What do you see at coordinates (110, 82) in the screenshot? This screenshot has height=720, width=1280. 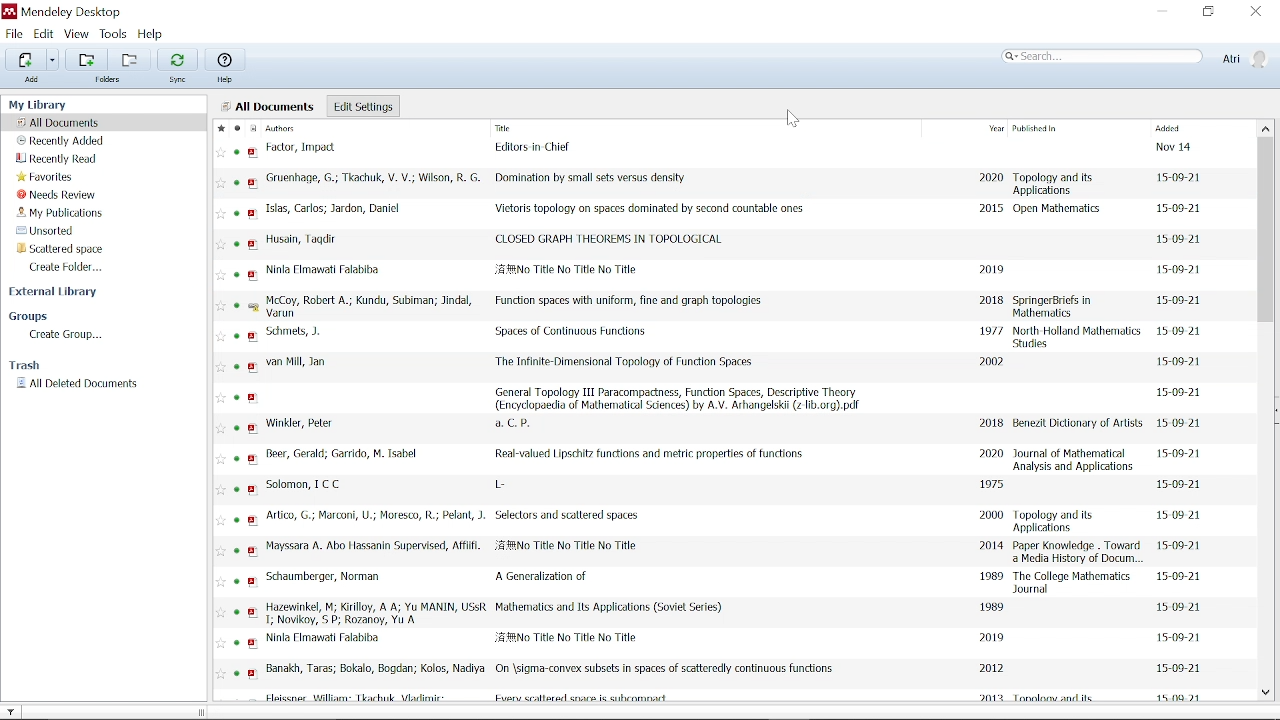 I see `folders` at bounding box center [110, 82].